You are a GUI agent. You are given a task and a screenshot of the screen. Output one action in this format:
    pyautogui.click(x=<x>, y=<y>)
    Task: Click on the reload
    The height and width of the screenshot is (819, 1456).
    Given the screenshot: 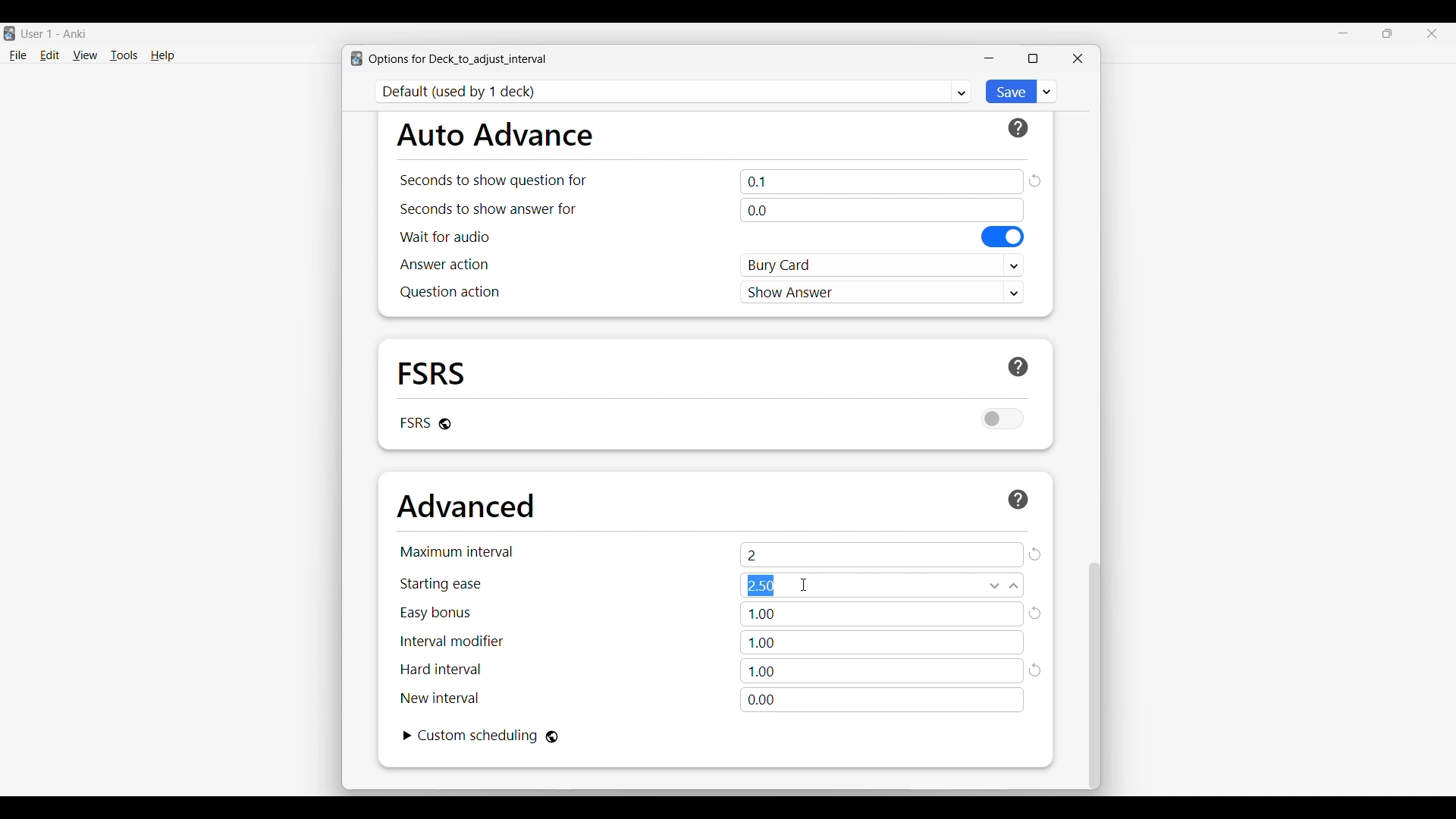 What is the action you would take?
    pyautogui.click(x=1034, y=180)
    